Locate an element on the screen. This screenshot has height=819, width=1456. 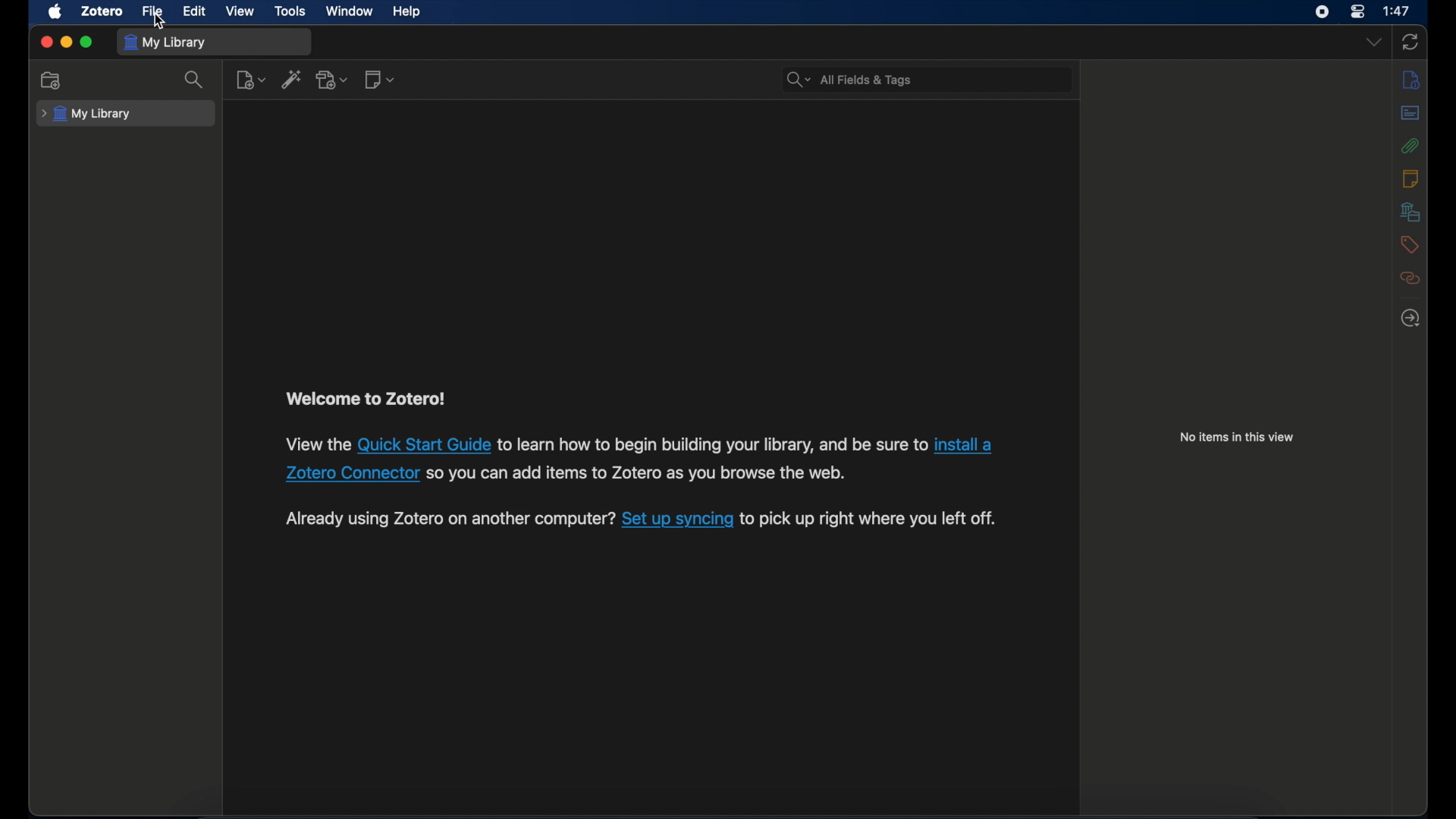
add attachment is located at coordinates (334, 80).